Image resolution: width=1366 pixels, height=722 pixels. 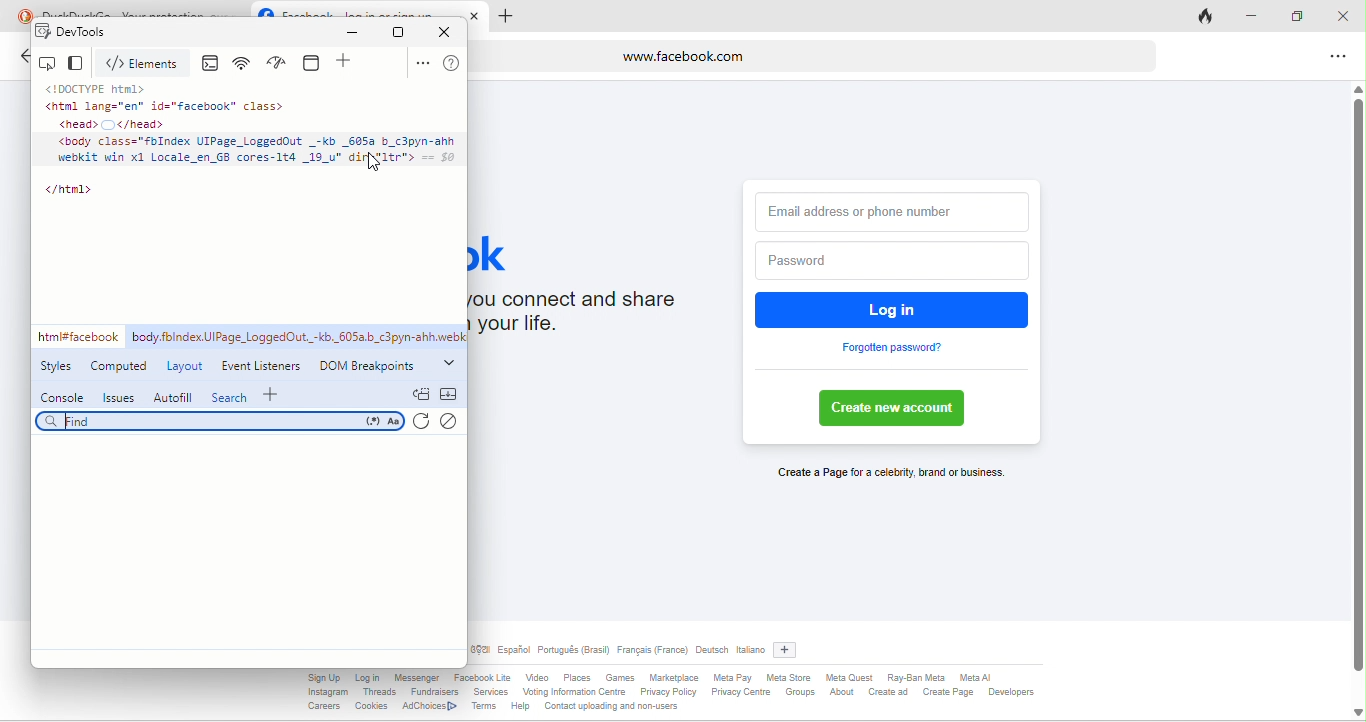 I want to click on close, so click(x=450, y=31).